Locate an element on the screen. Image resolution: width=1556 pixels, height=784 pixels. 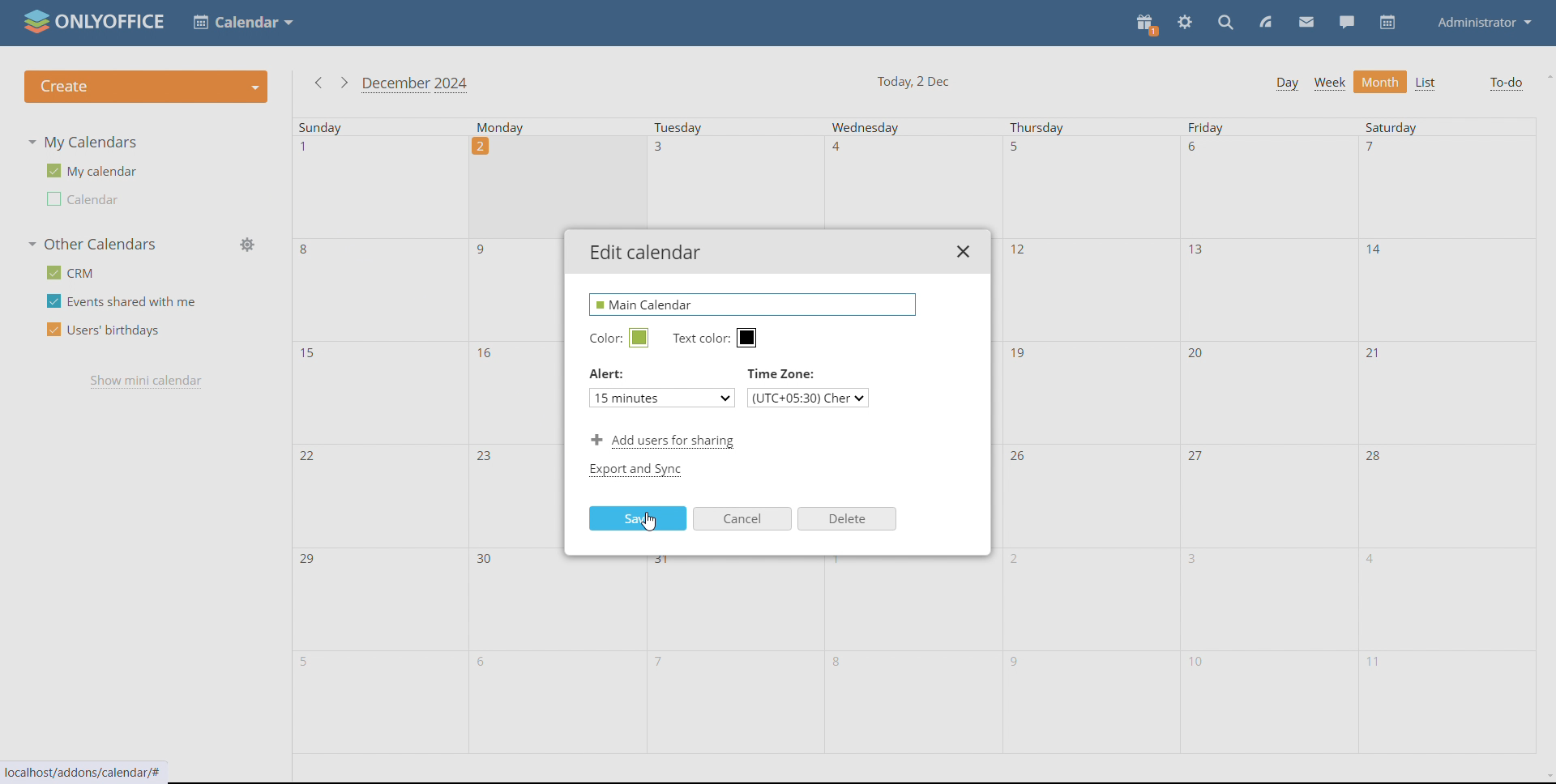
next month is located at coordinates (344, 83).